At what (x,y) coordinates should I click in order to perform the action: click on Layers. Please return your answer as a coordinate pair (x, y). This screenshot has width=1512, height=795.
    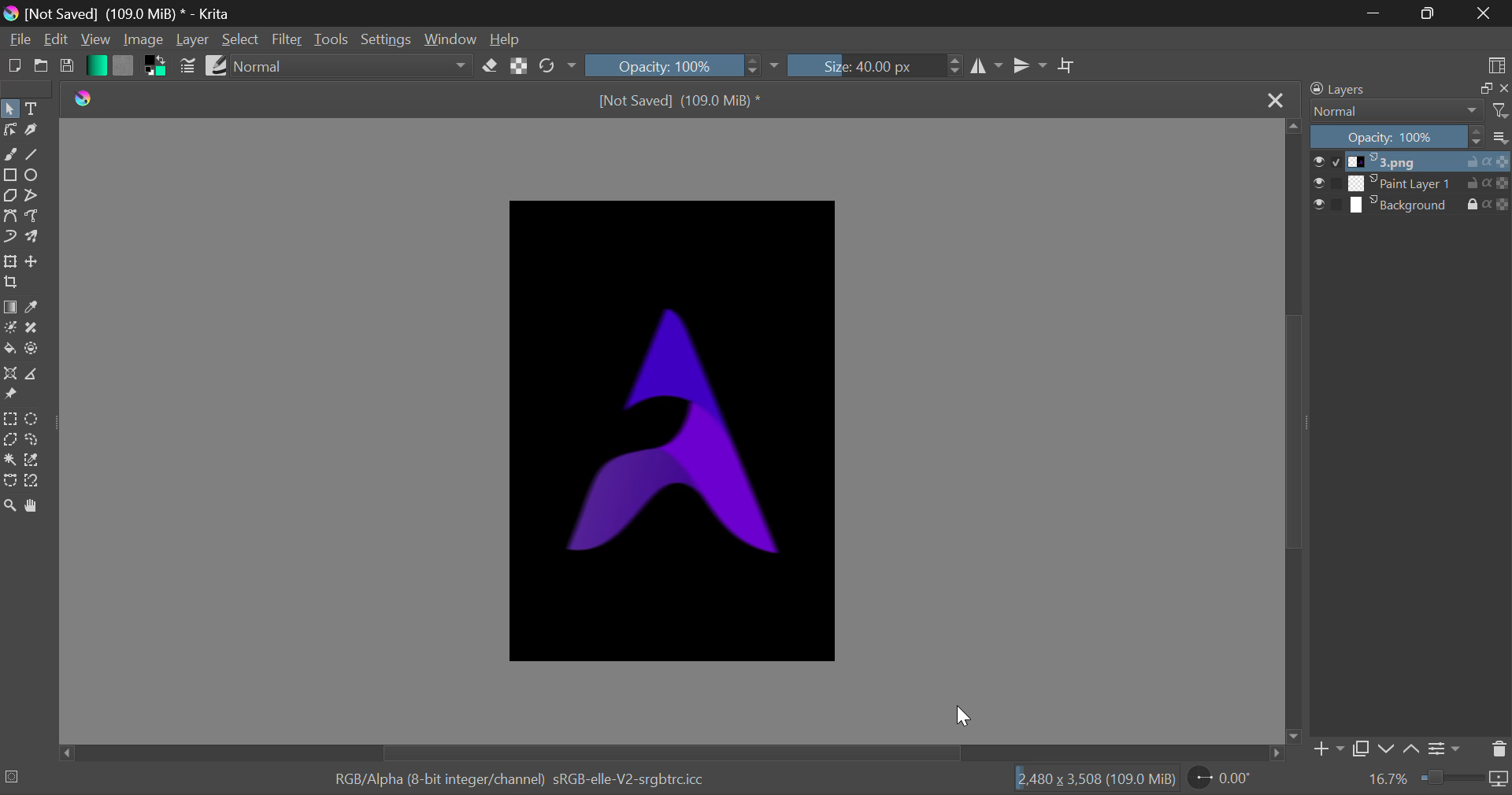
    Looking at the image, I should click on (1405, 89).